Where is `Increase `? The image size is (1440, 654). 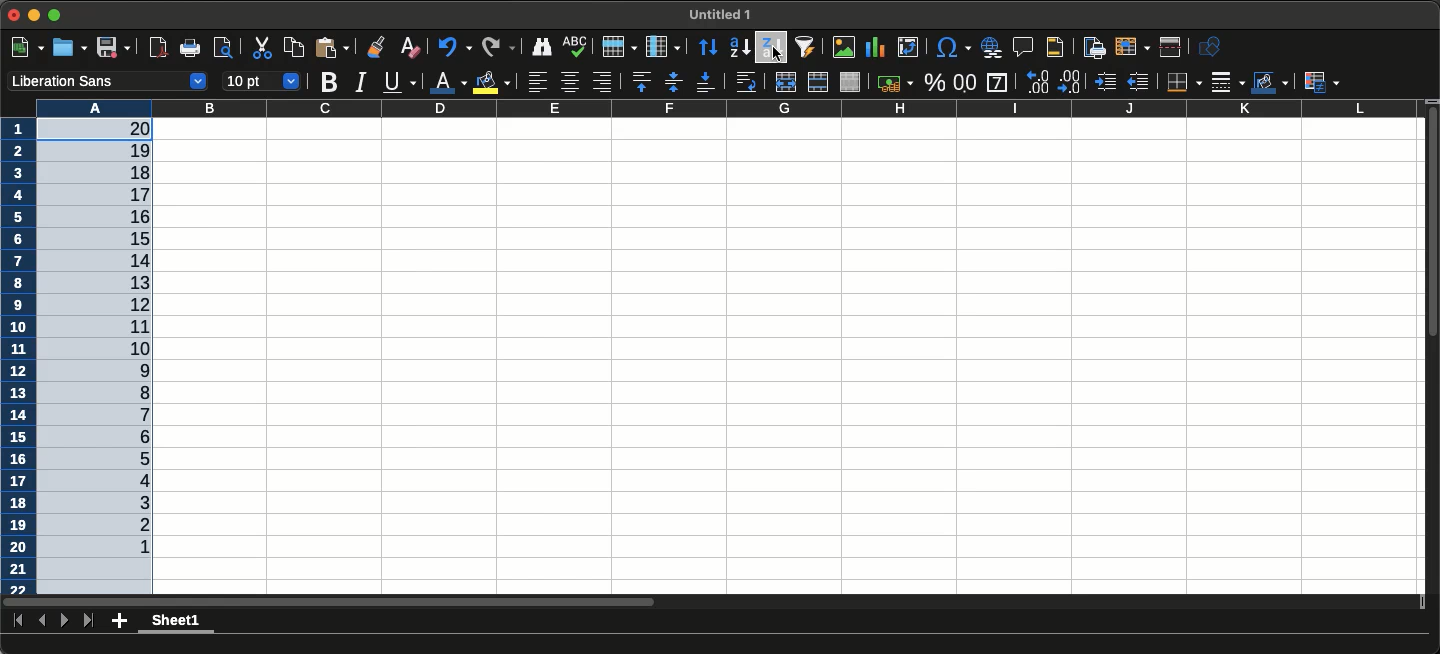 Increase  is located at coordinates (1106, 83).